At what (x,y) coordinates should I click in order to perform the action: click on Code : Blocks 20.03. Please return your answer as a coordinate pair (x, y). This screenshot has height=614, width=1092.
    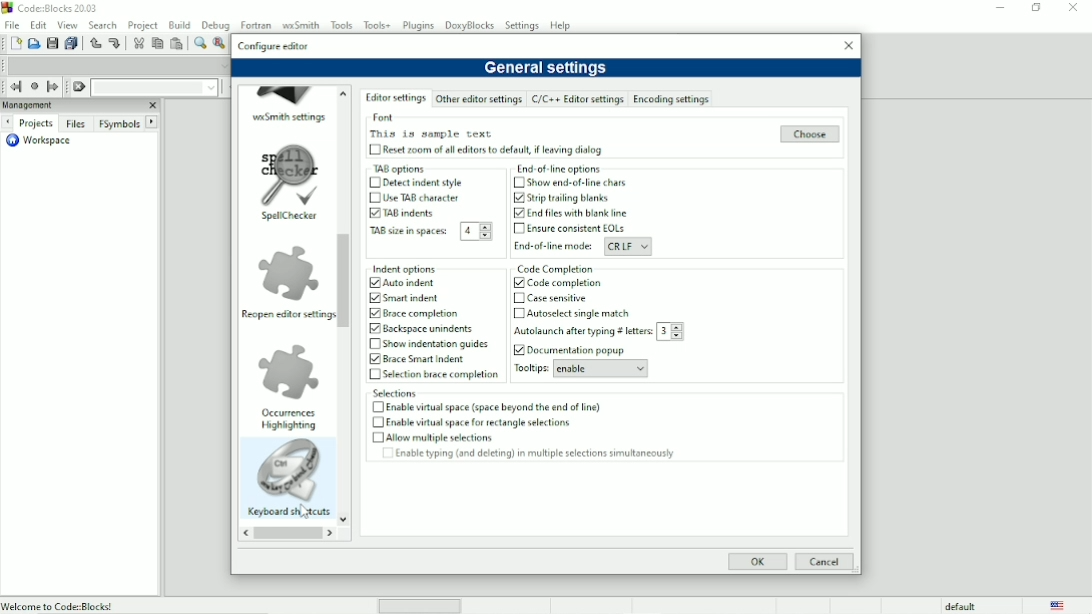
    Looking at the image, I should click on (53, 7).